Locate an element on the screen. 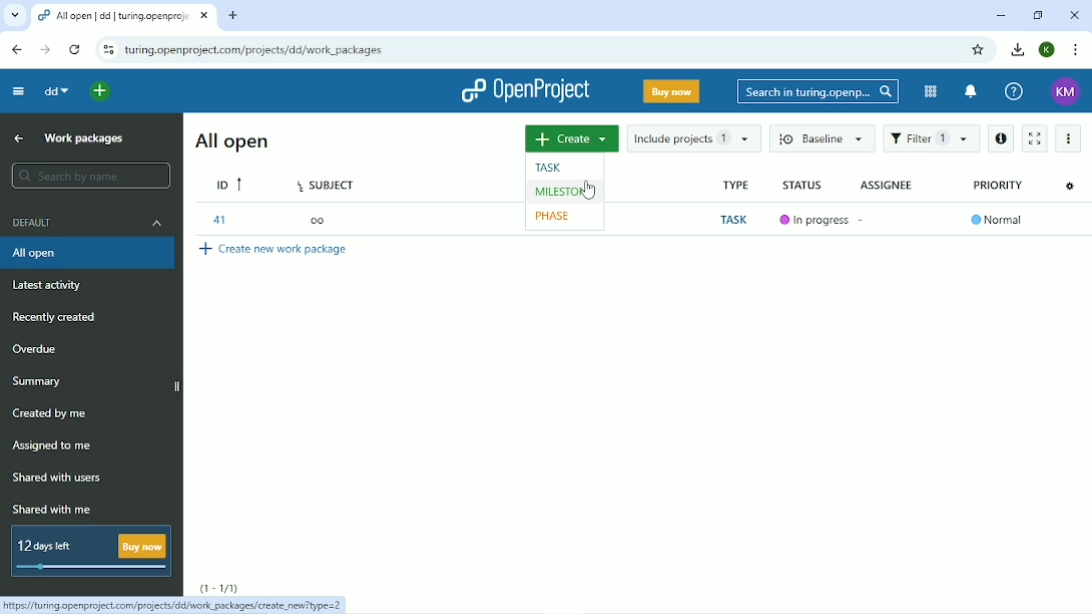  Link is located at coordinates (177, 605).